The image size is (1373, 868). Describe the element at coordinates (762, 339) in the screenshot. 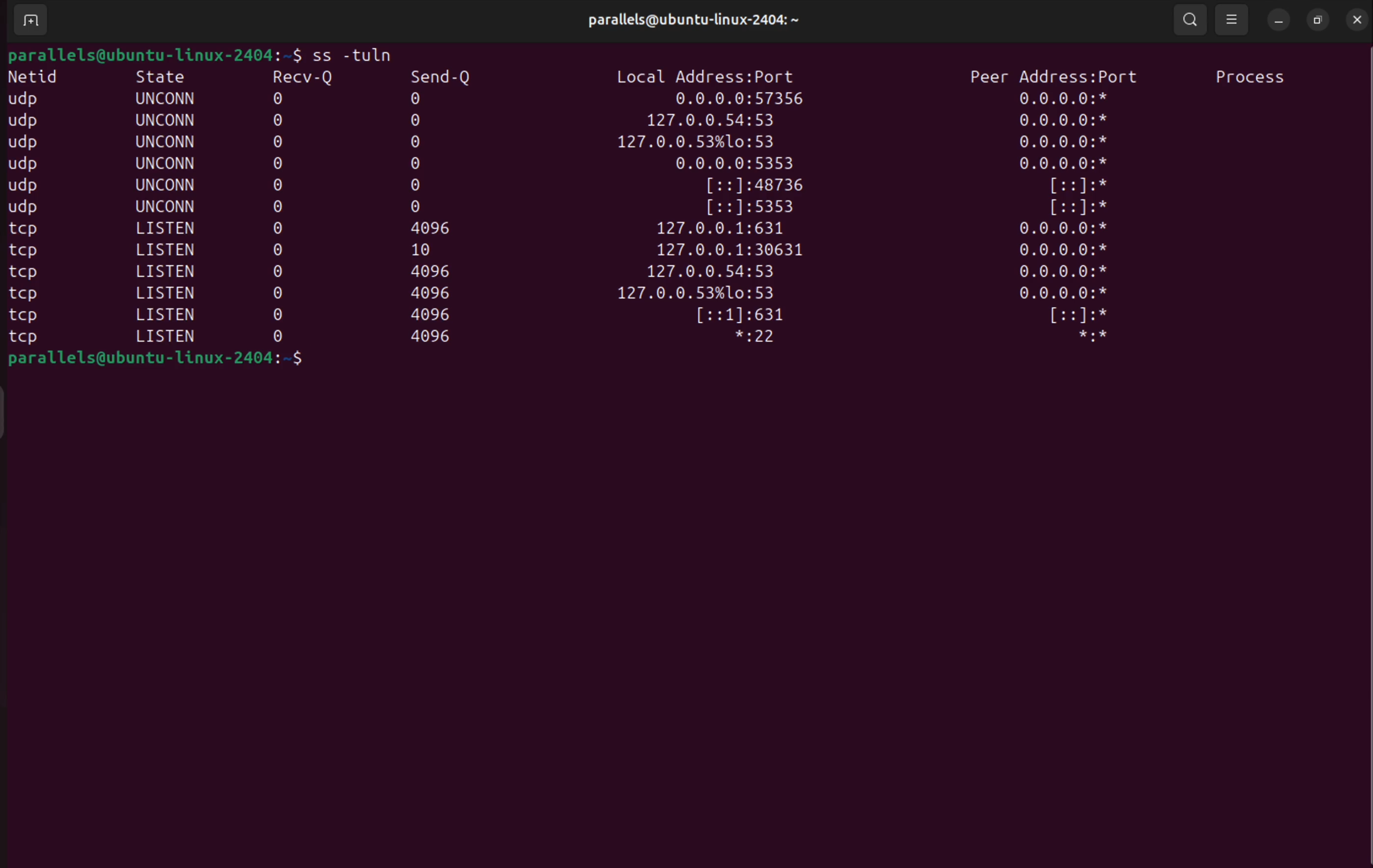

I see `*22` at that location.